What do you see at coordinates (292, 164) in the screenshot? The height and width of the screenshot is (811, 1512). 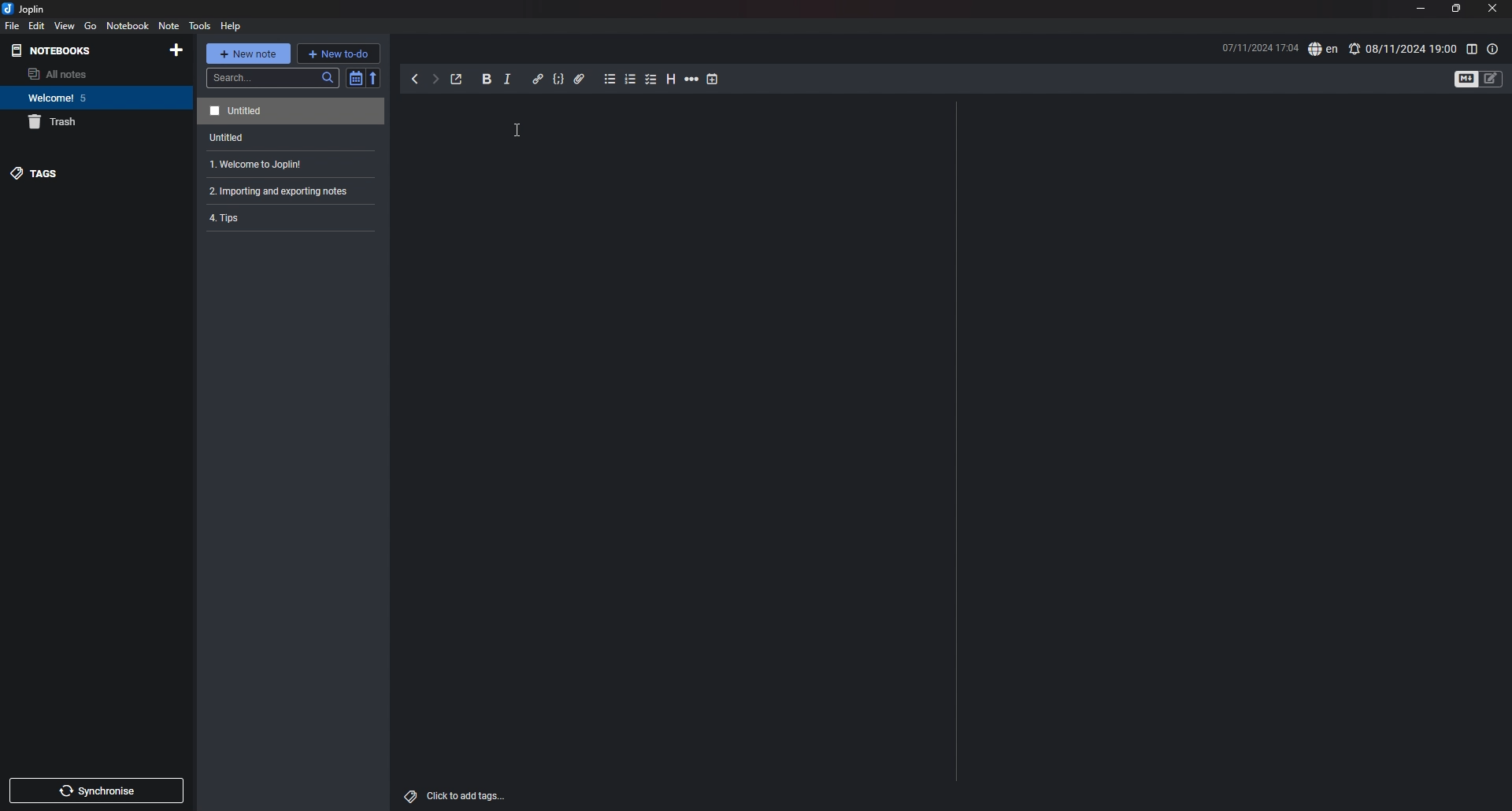 I see `note` at bounding box center [292, 164].